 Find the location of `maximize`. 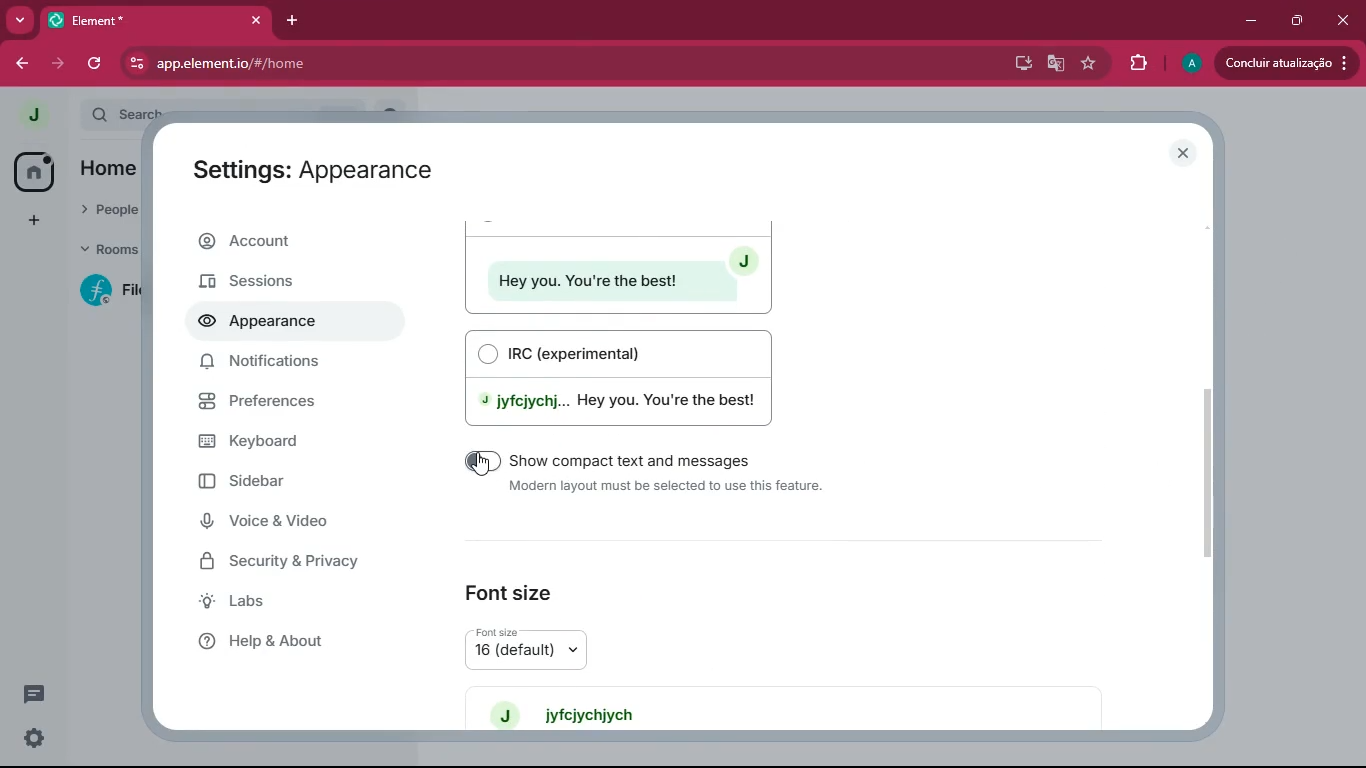

maximize is located at coordinates (1299, 20).